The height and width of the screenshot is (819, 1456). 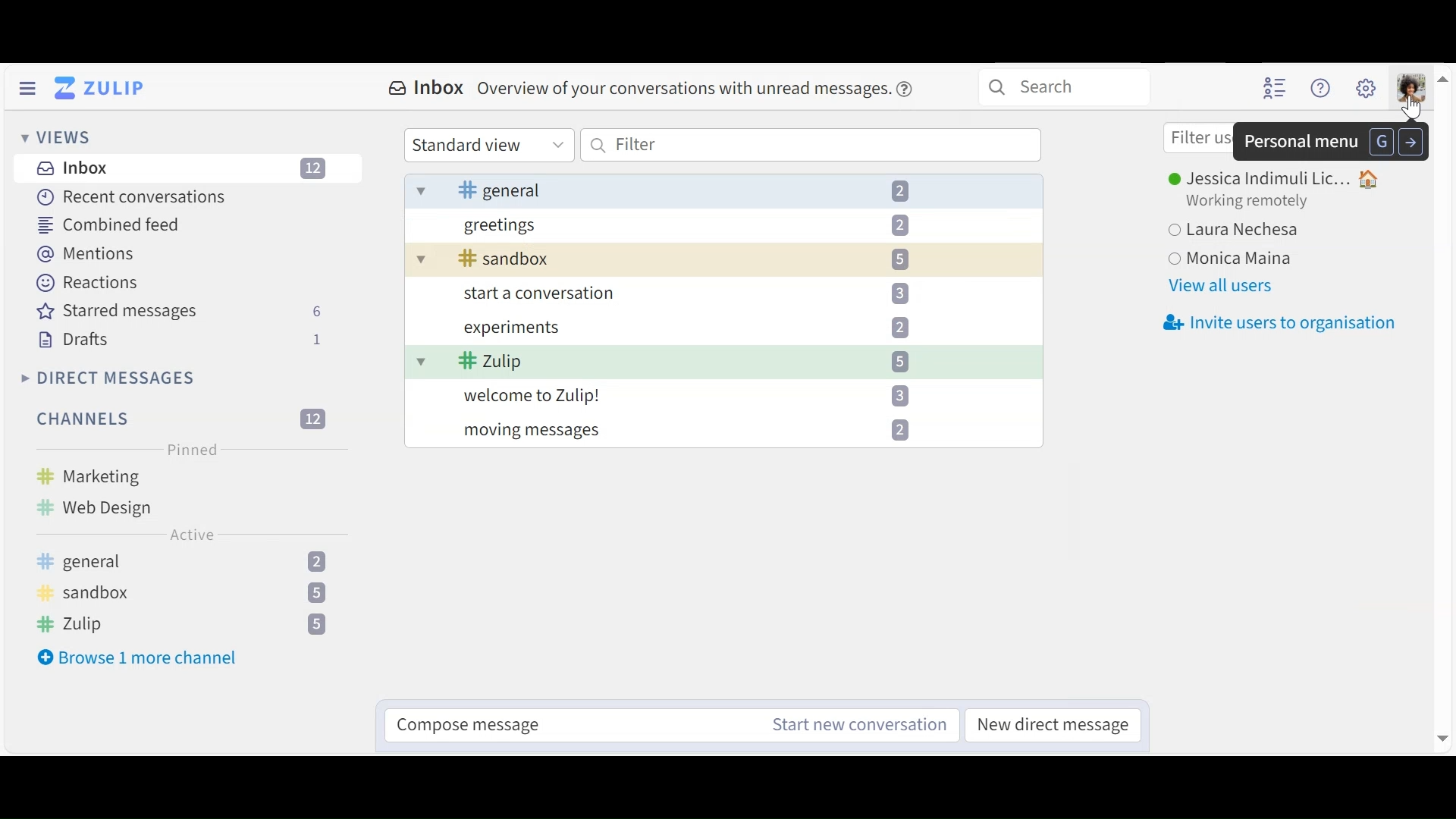 I want to click on moving messages, so click(x=523, y=431).